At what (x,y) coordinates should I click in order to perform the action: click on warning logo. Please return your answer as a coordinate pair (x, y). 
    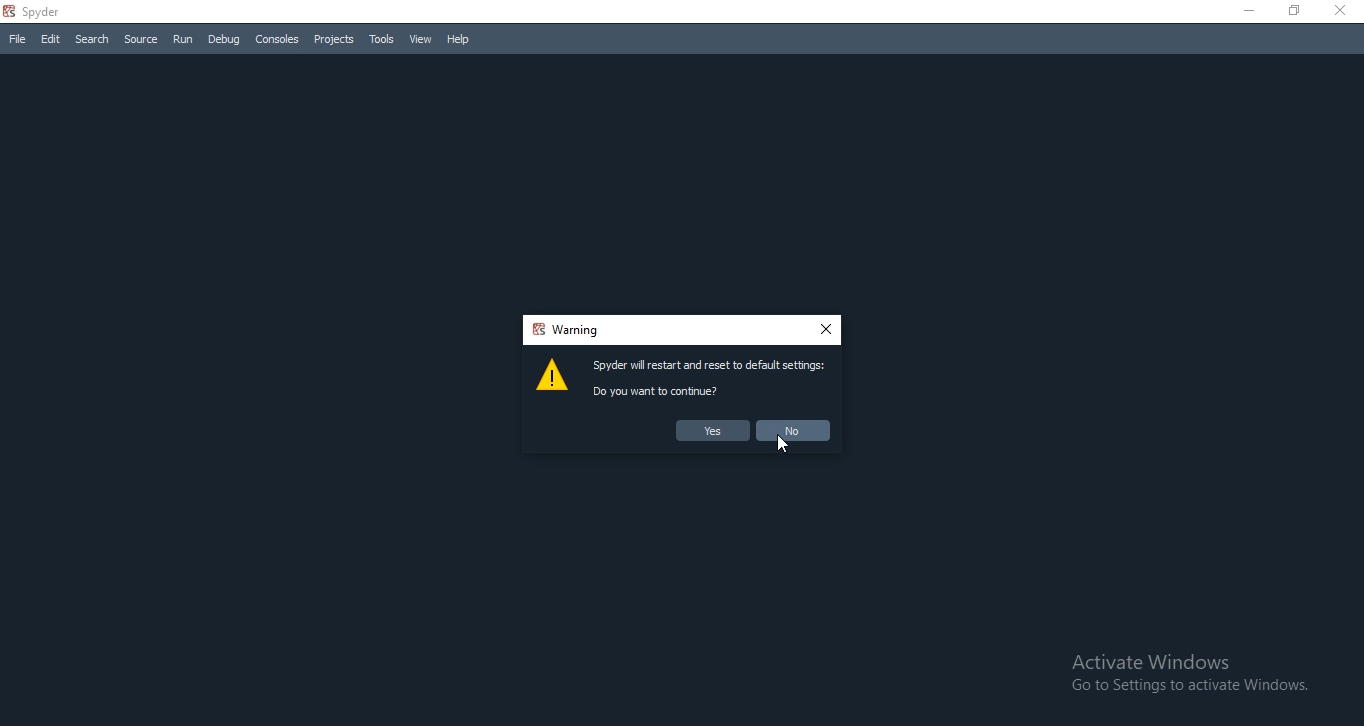
    Looking at the image, I should click on (553, 380).